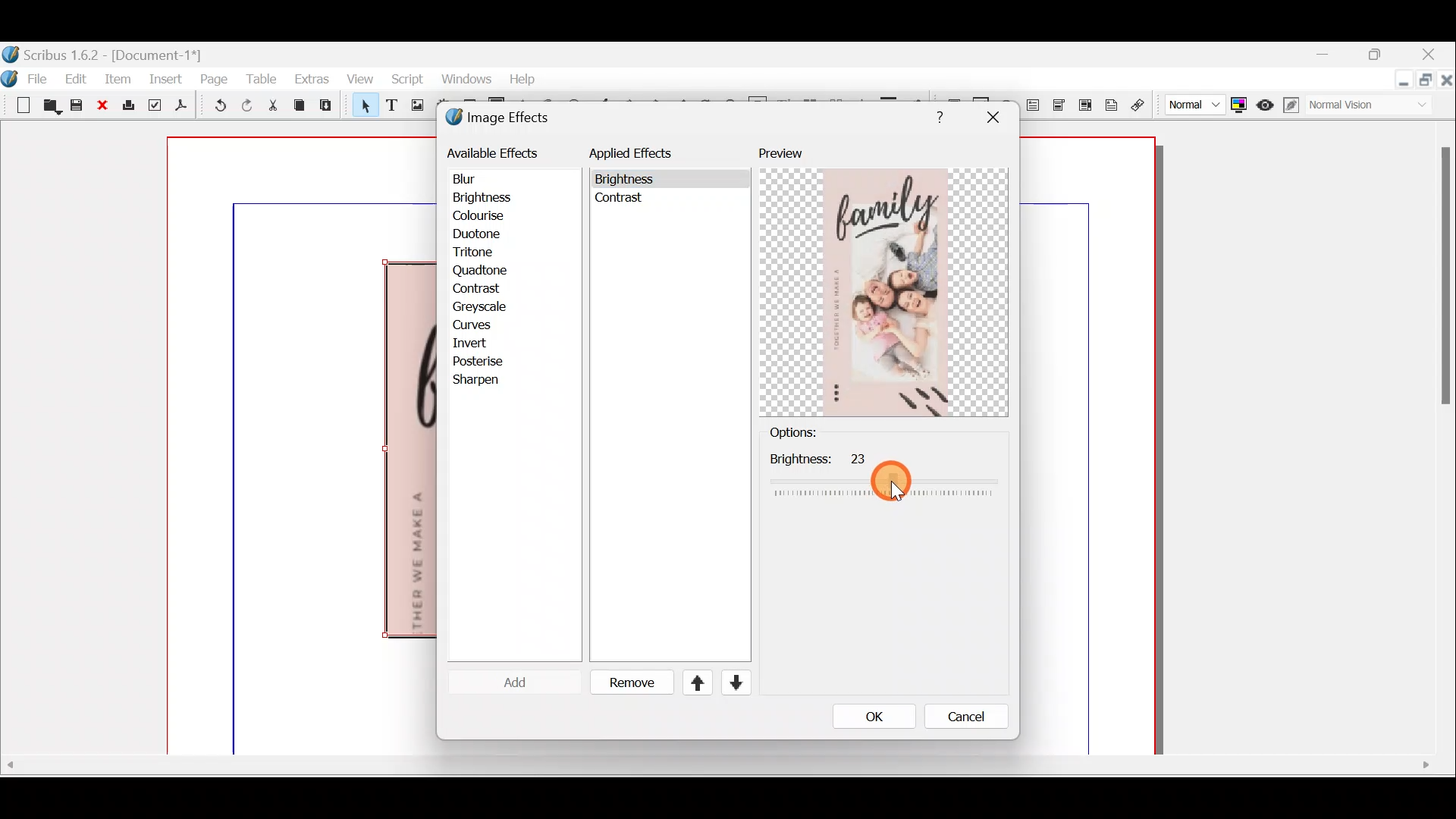  Describe the element at coordinates (504, 682) in the screenshot. I see `Cursor` at that location.